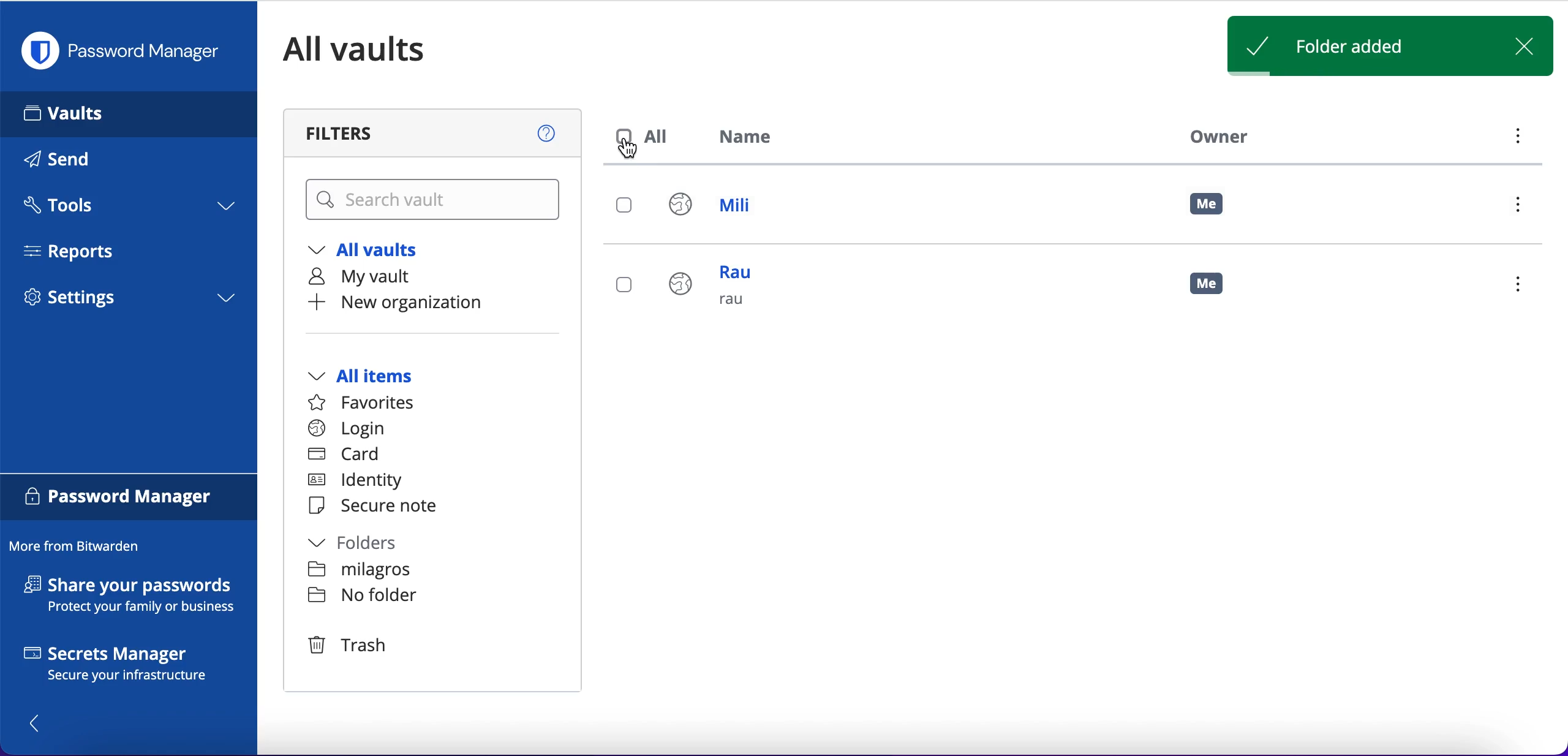 The width and height of the screenshot is (1568, 756). What do you see at coordinates (361, 482) in the screenshot?
I see `identity` at bounding box center [361, 482].